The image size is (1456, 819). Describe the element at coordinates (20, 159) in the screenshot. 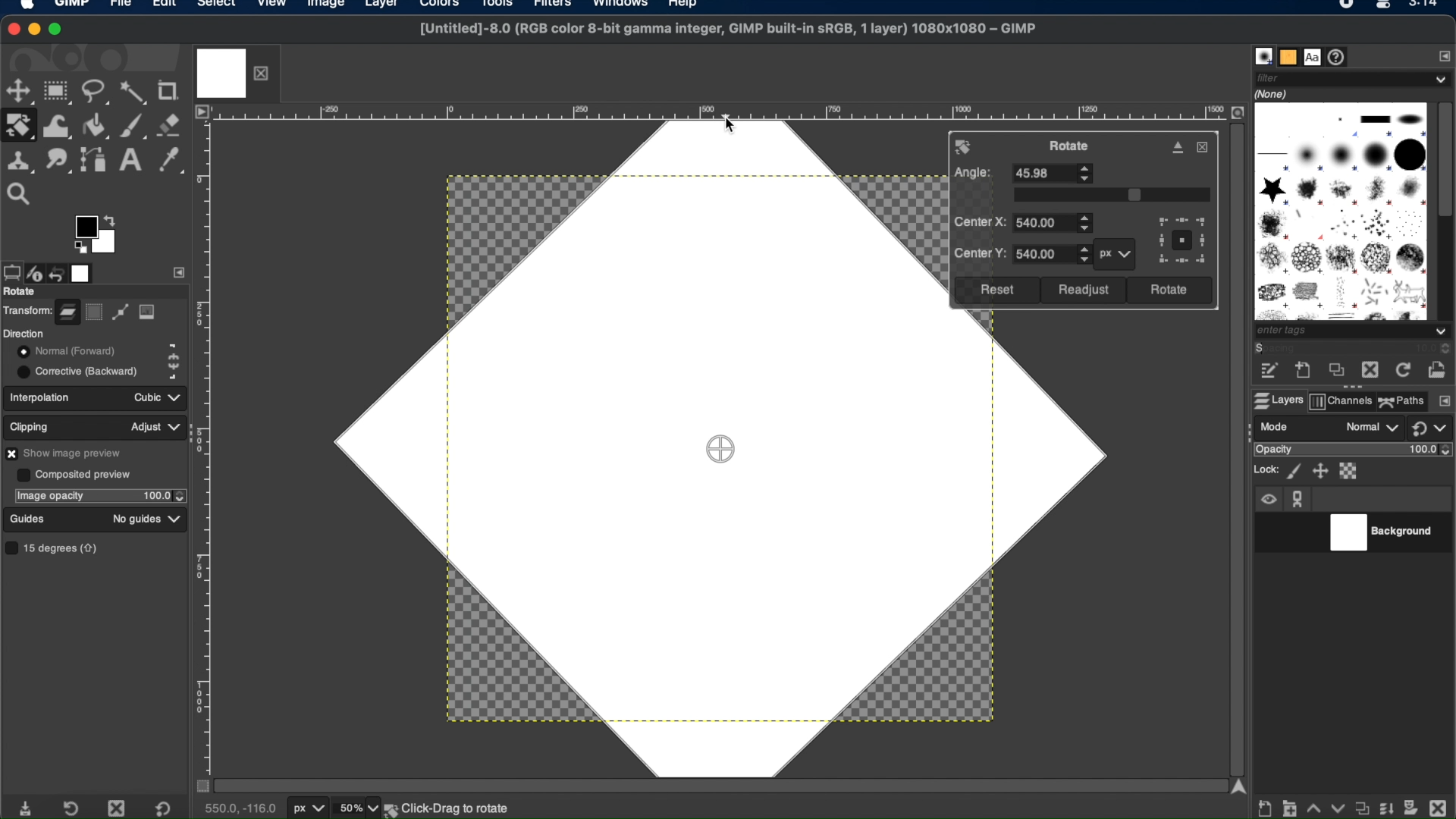

I see `clone tool` at that location.